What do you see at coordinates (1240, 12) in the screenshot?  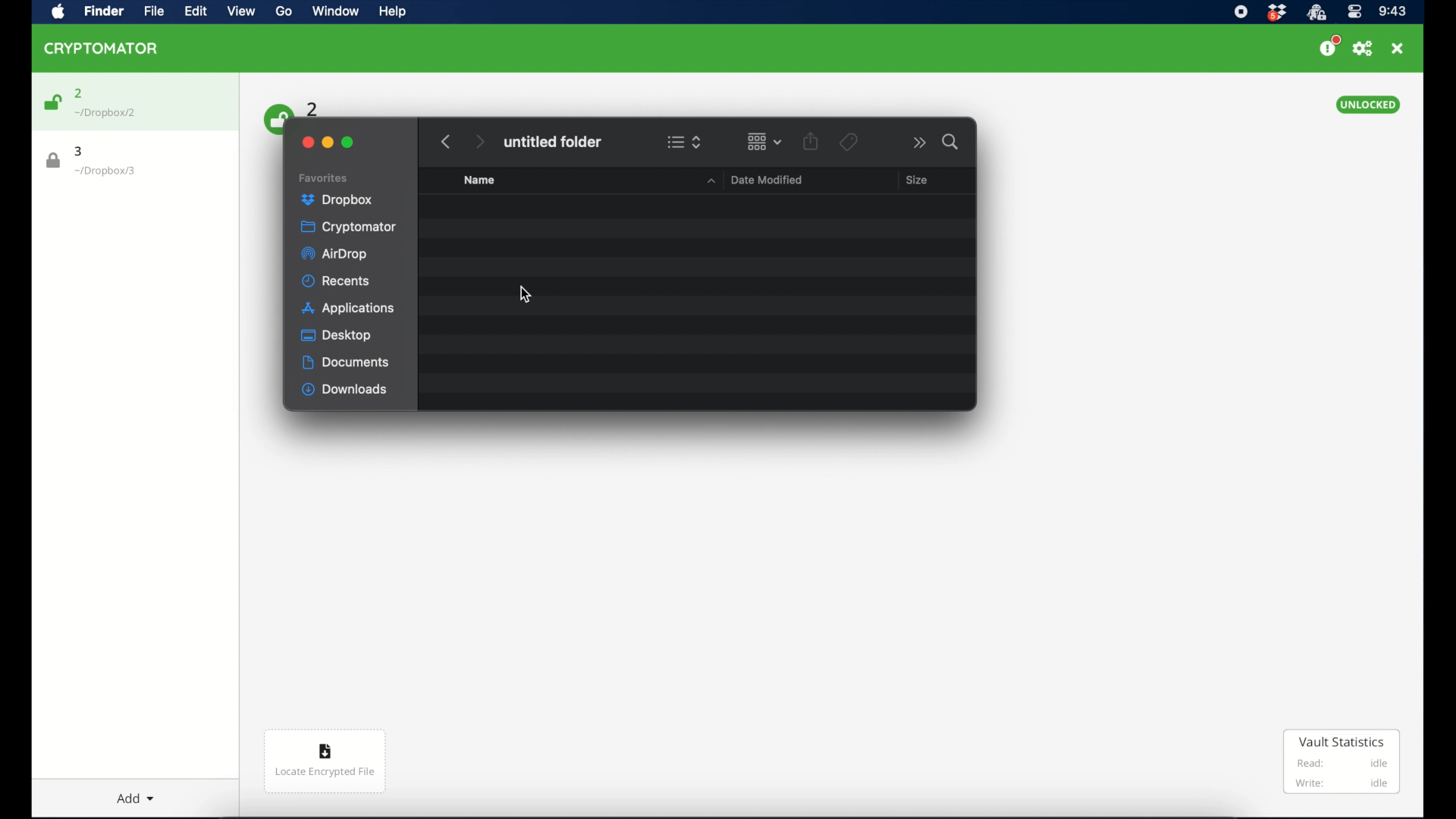 I see `screen recorder icon` at bounding box center [1240, 12].